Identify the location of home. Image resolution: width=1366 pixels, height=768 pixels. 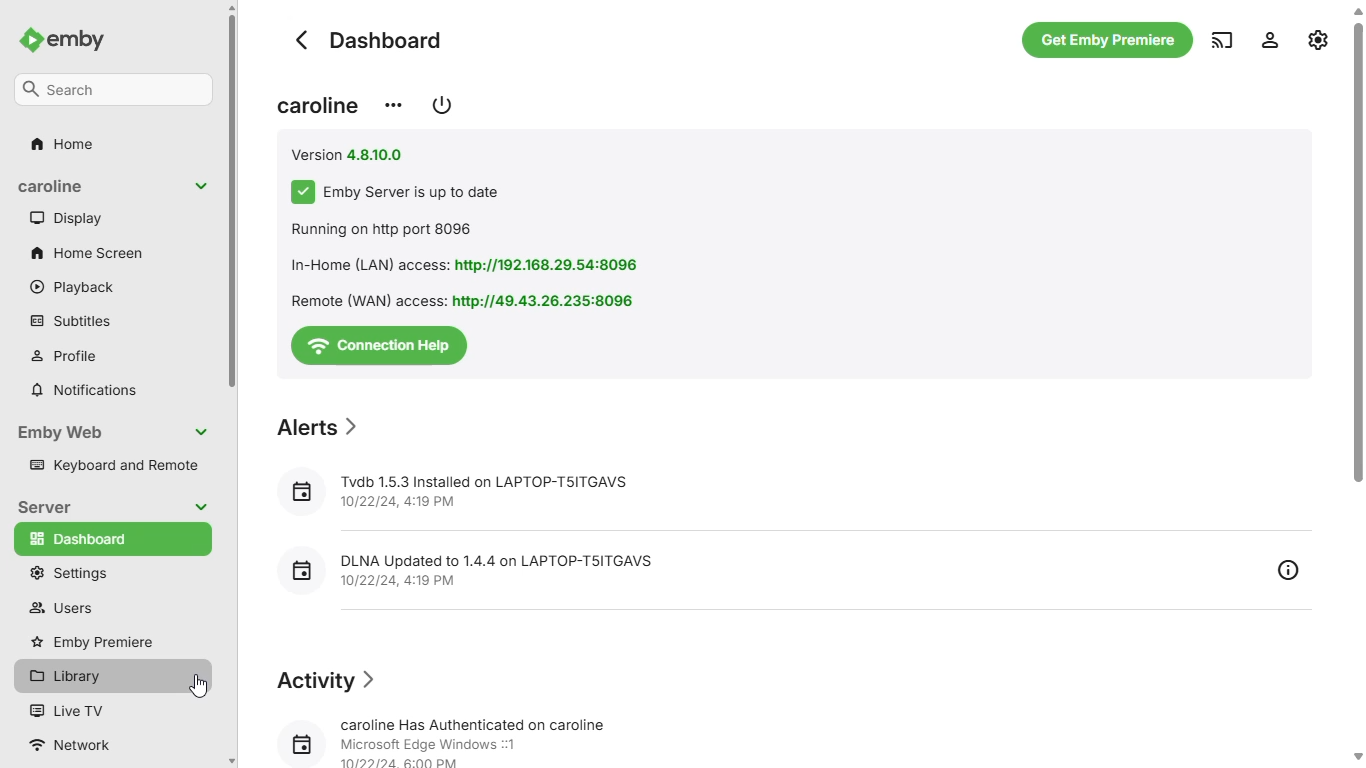
(61, 144).